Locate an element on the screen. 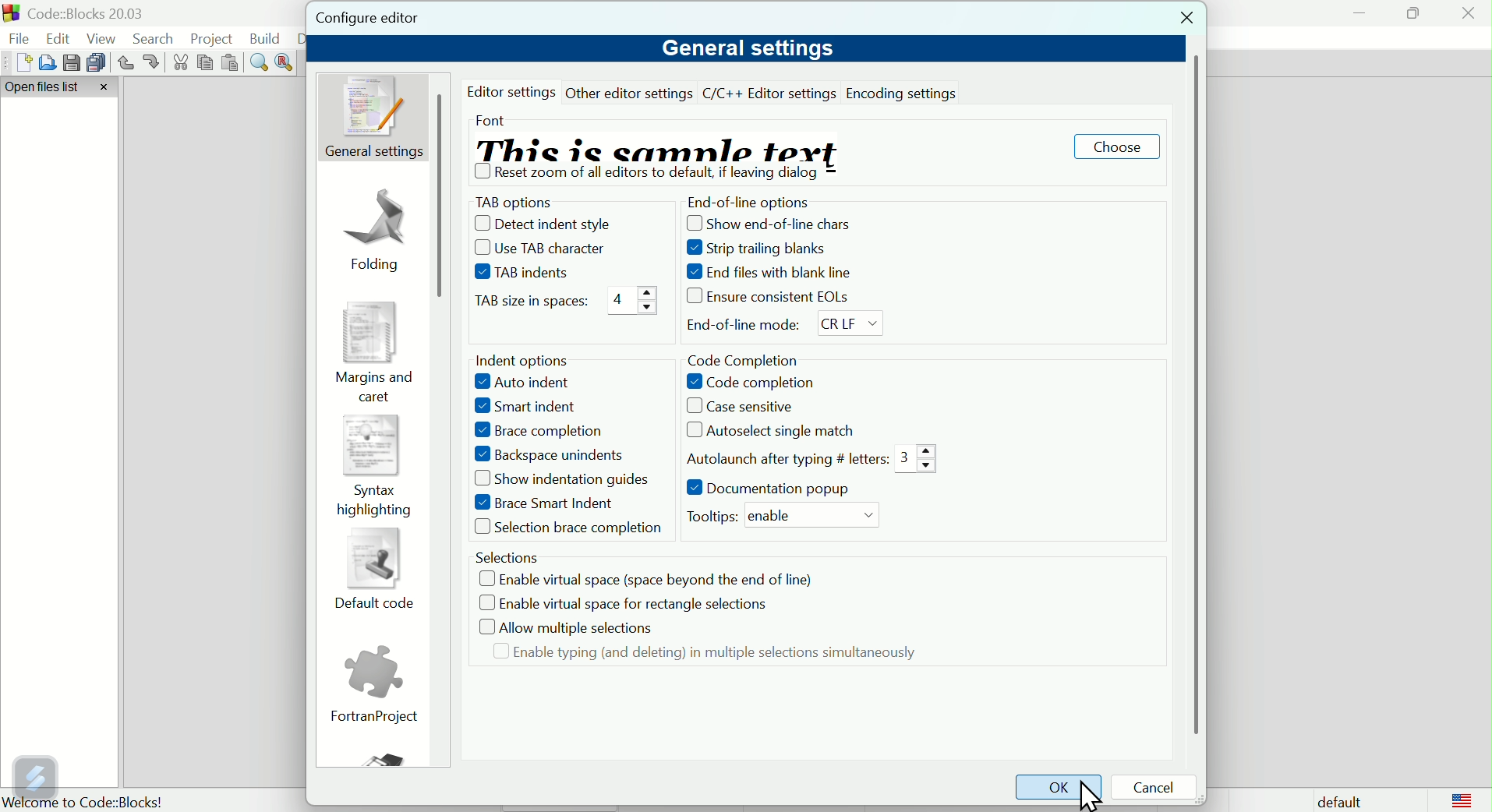 The width and height of the screenshot is (1492, 812). View is located at coordinates (104, 38).